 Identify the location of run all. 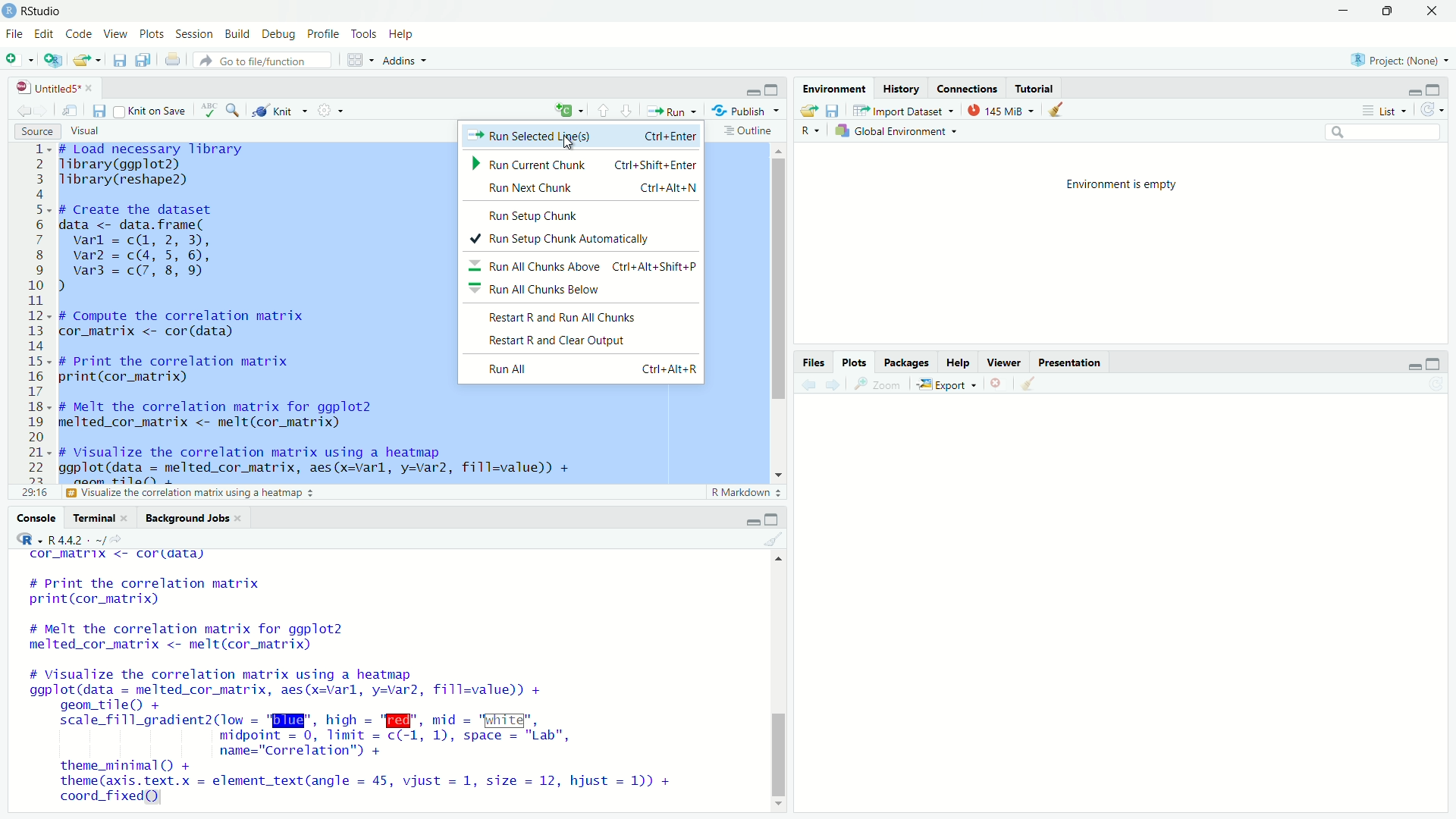
(584, 369).